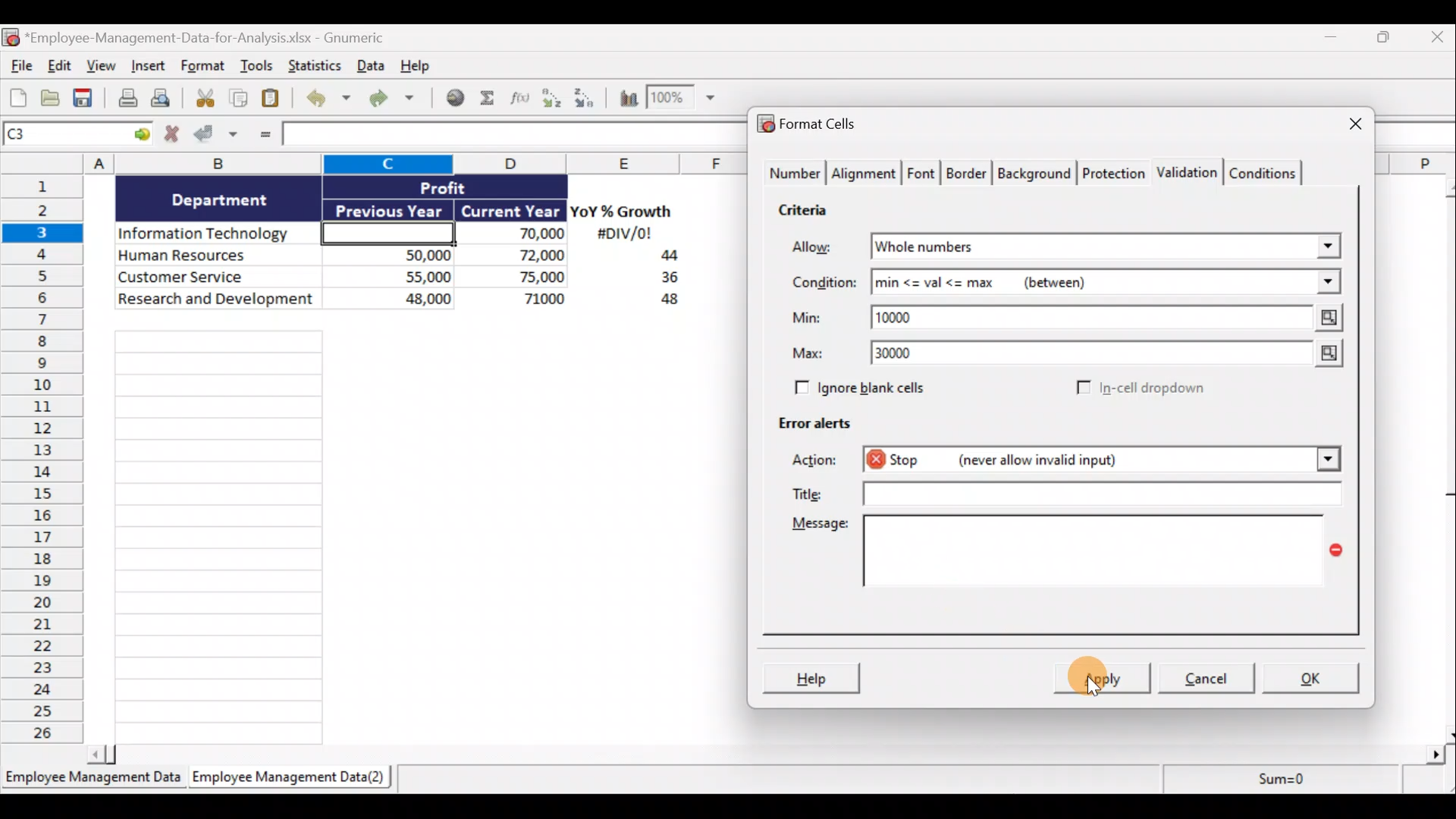 This screenshot has width=1456, height=819. What do you see at coordinates (457, 98) in the screenshot?
I see `Insert hyperlink` at bounding box center [457, 98].